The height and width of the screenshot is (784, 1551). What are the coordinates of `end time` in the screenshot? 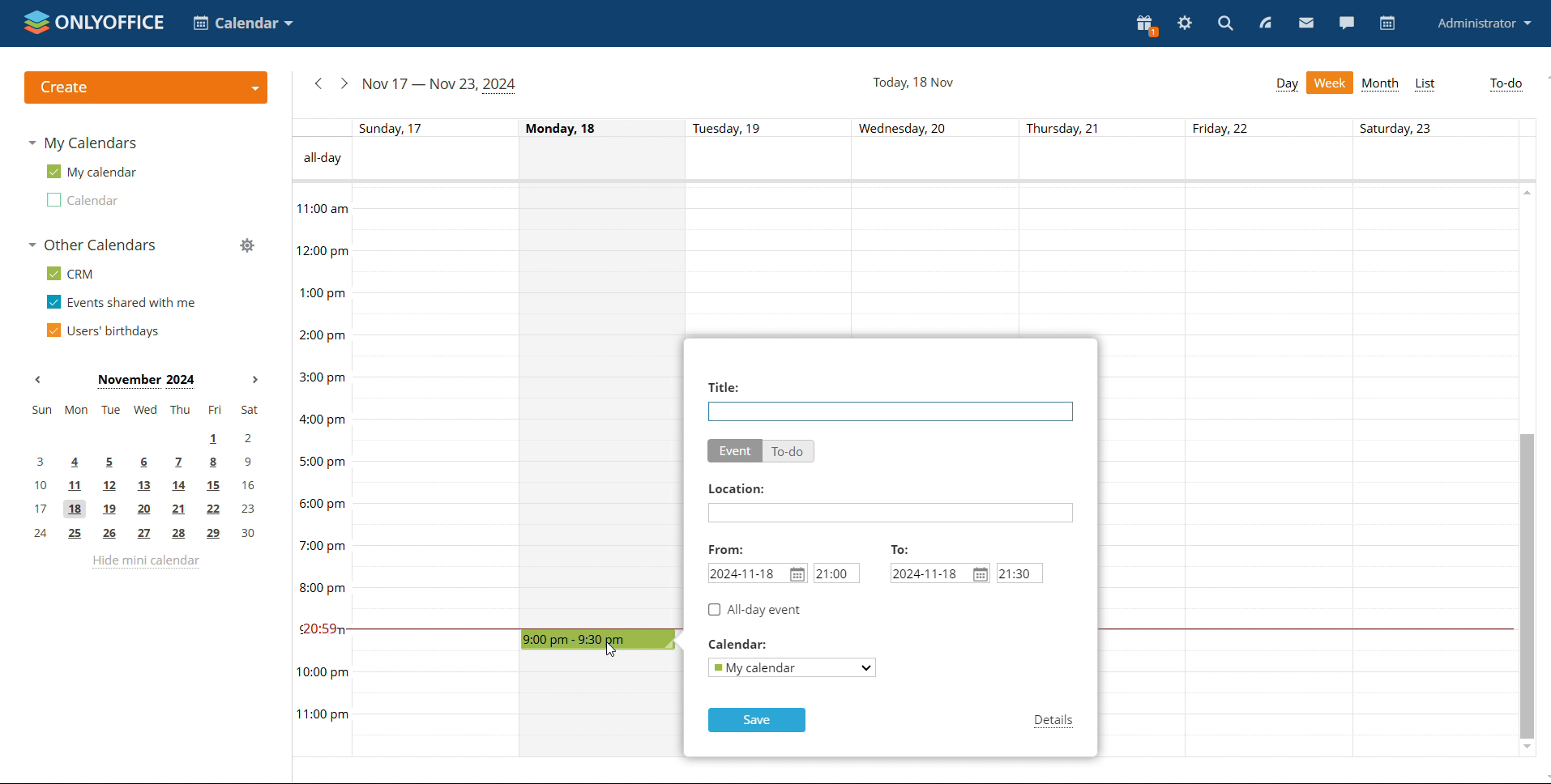 It's located at (1019, 573).